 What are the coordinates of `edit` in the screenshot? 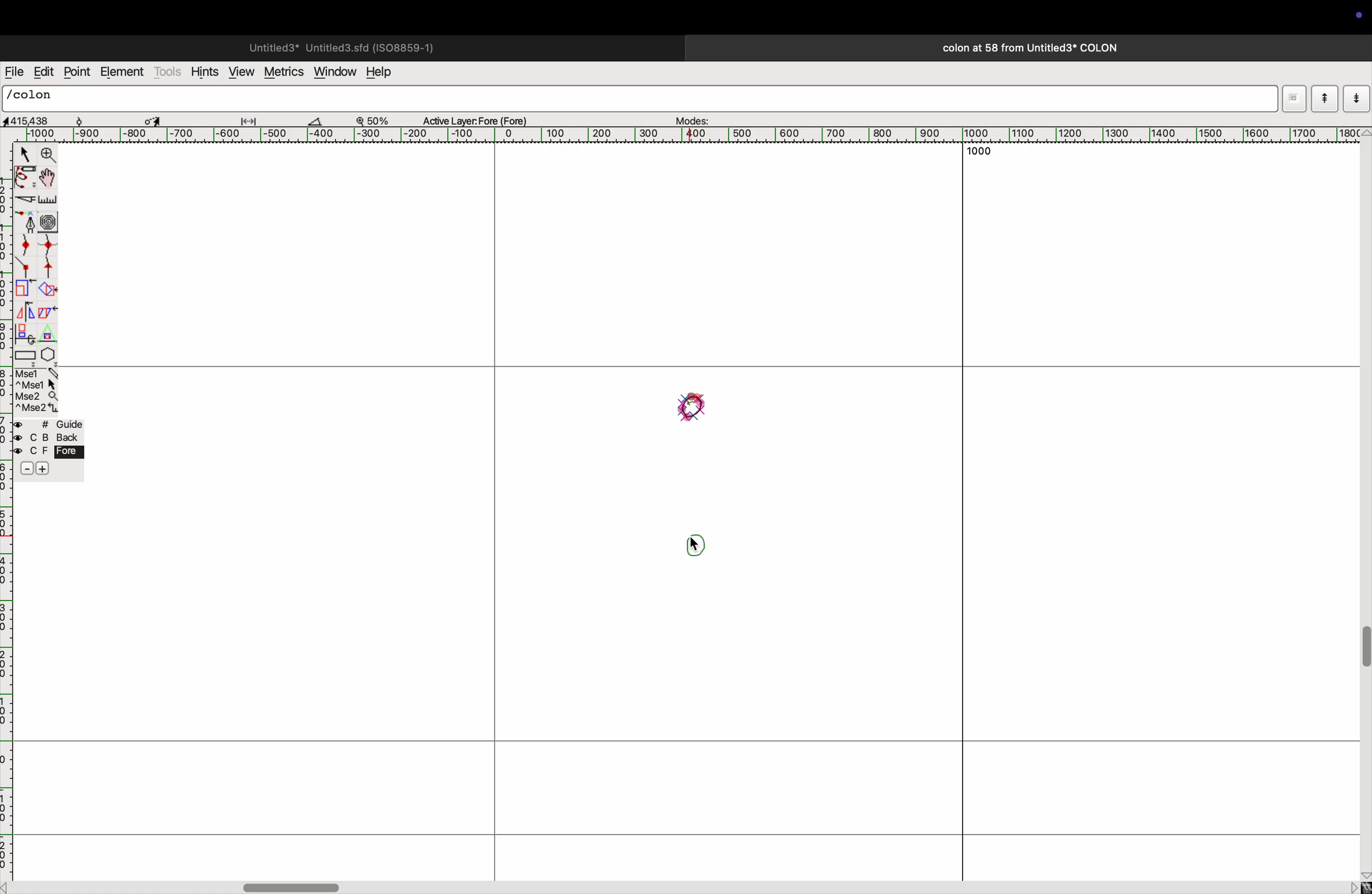 It's located at (43, 72).